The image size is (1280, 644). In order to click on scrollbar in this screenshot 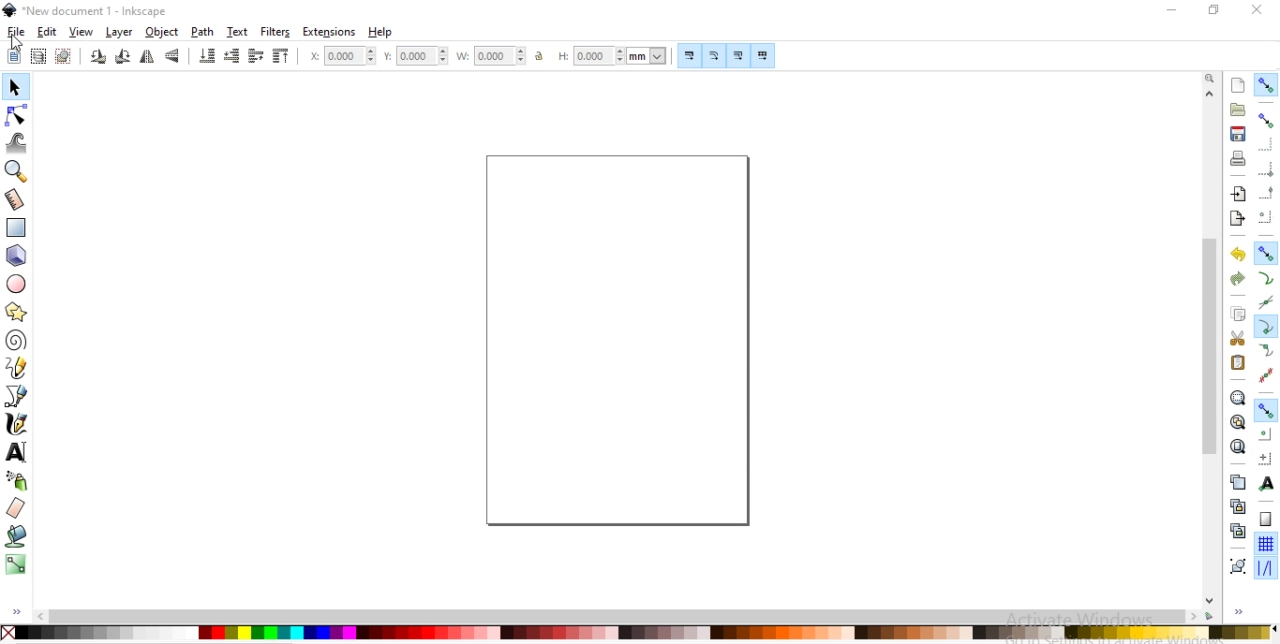, I will do `click(1211, 398)`.